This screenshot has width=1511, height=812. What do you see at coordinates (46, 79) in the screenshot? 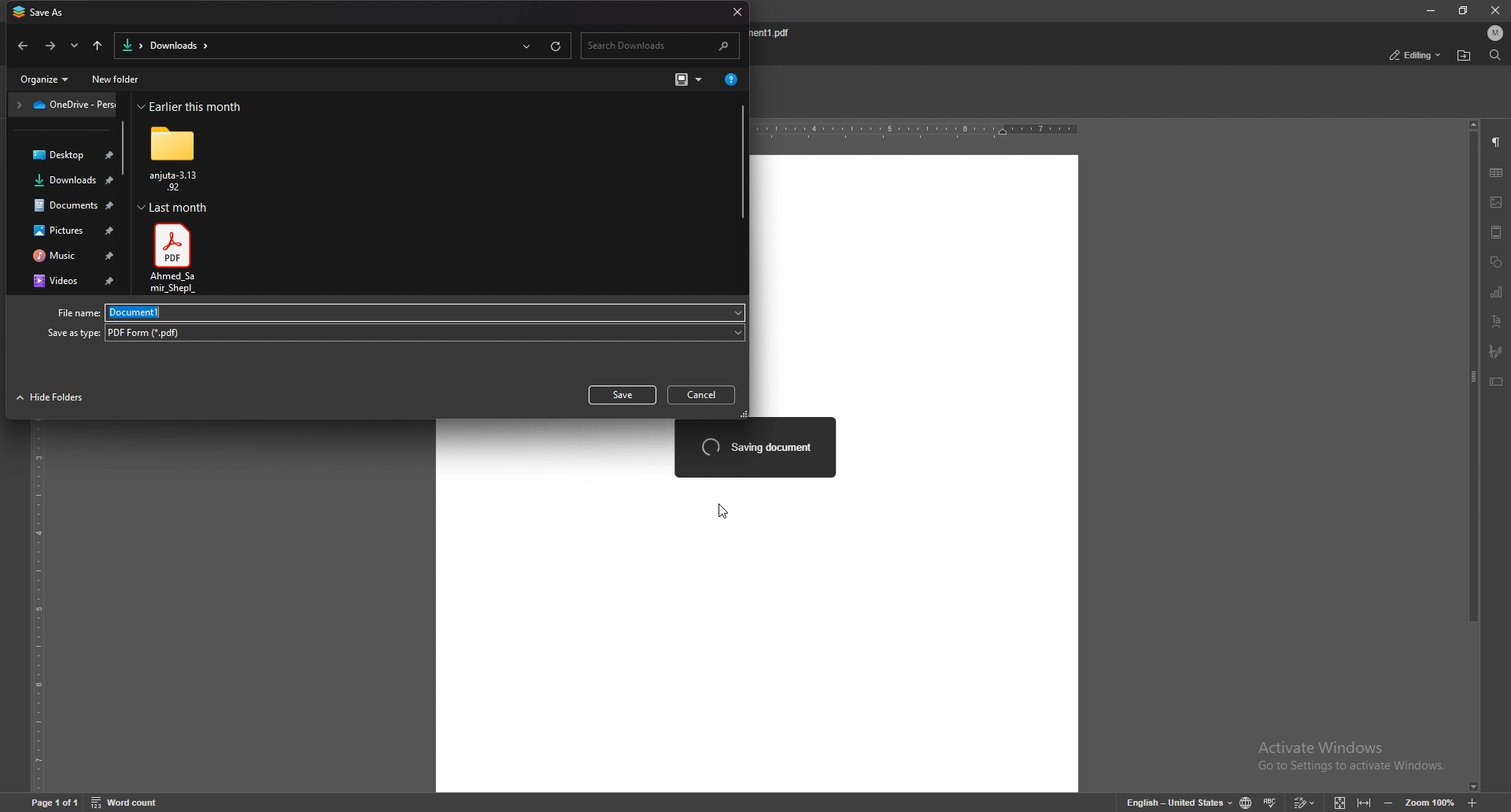
I see `organize` at bounding box center [46, 79].